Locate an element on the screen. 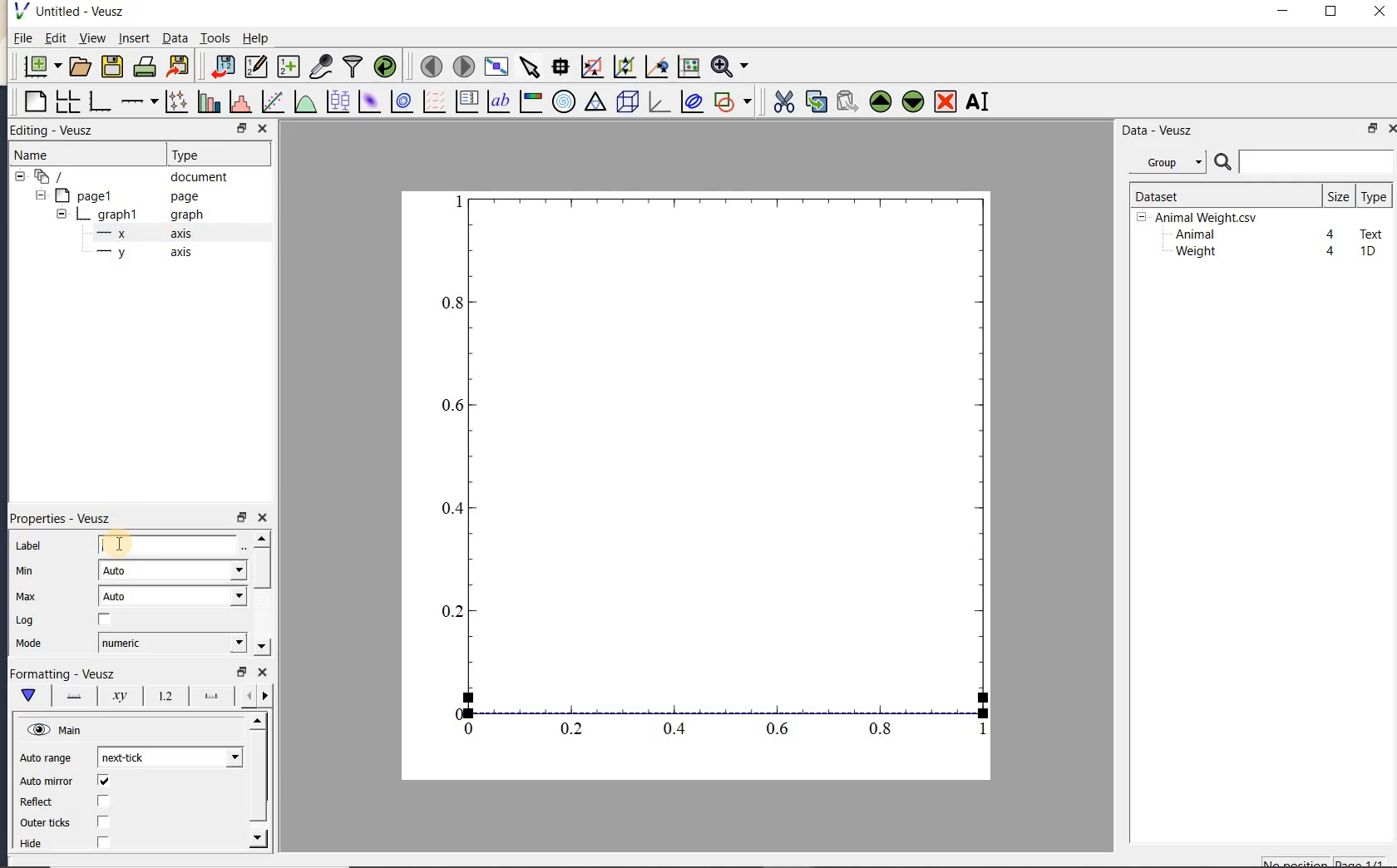  Data - Veusz is located at coordinates (1172, 163).